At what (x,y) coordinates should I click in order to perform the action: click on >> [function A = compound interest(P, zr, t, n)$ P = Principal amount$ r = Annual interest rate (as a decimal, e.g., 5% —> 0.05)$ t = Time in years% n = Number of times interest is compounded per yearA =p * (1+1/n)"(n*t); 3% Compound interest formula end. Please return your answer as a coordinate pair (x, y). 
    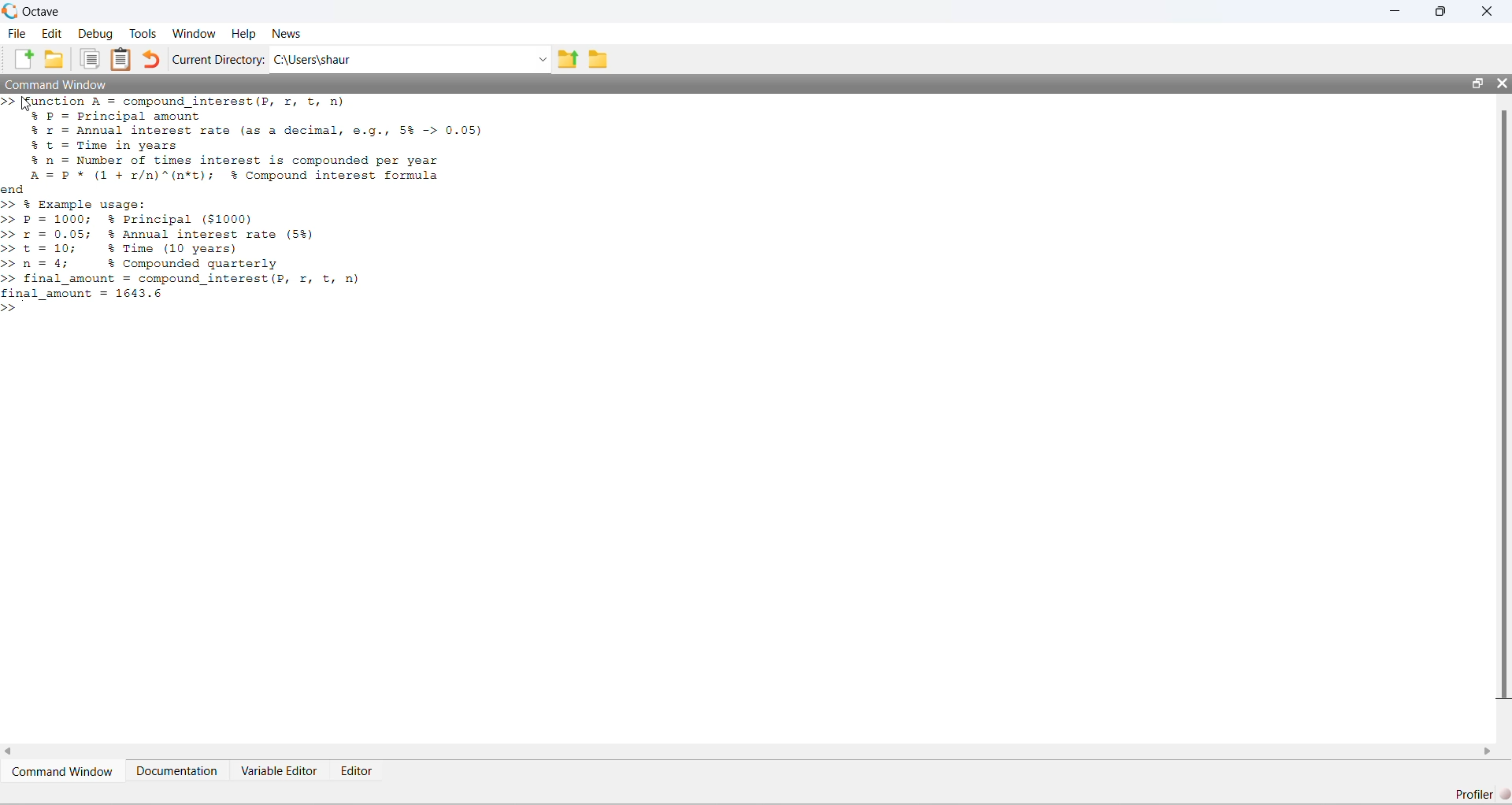
    Looking at the image, I should click on (247, 145).